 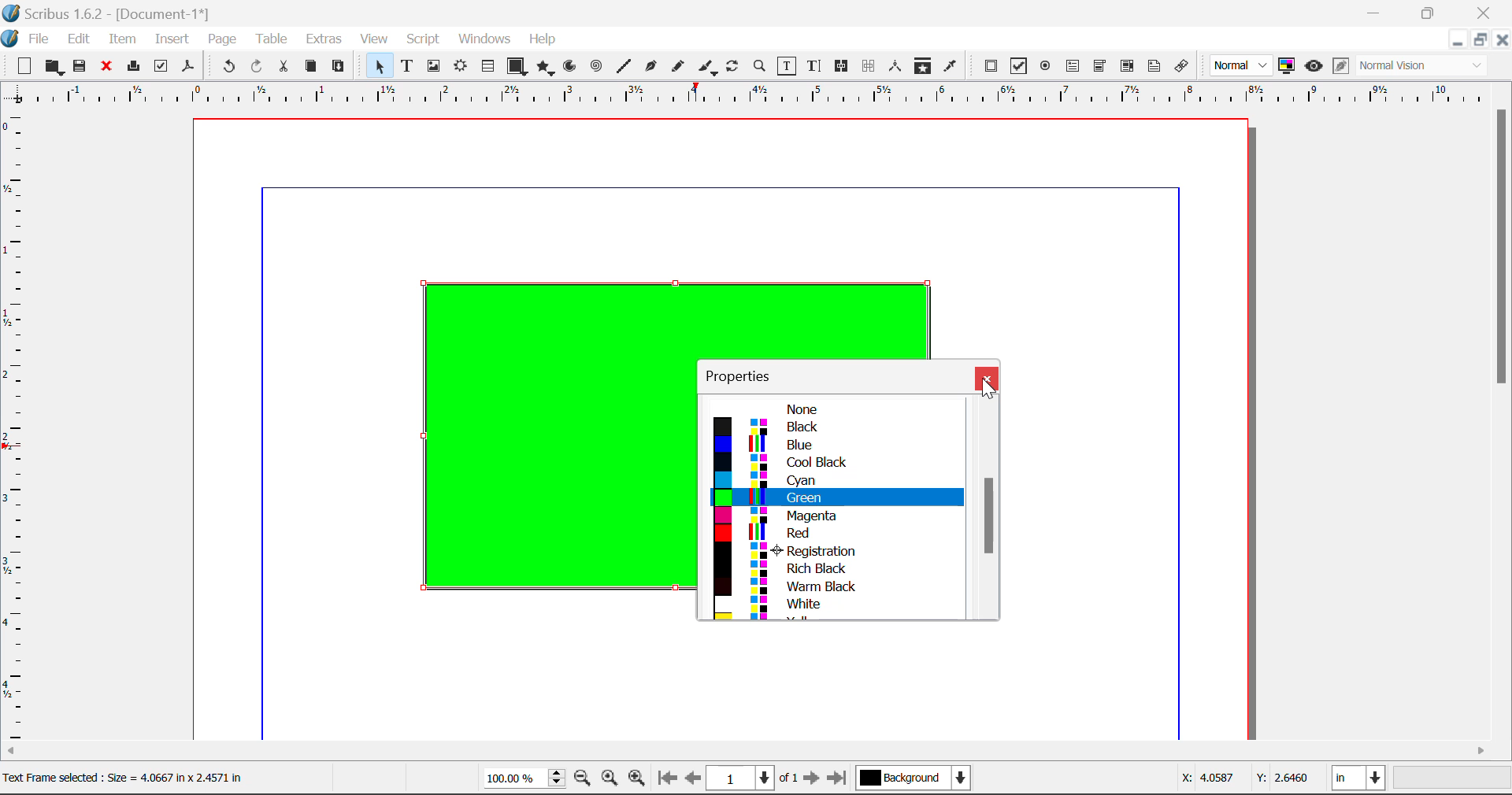 What do you see at coordinates (951, 65) in the screenshot?
I see `Eyedropper` at bounding box center [951, 65].